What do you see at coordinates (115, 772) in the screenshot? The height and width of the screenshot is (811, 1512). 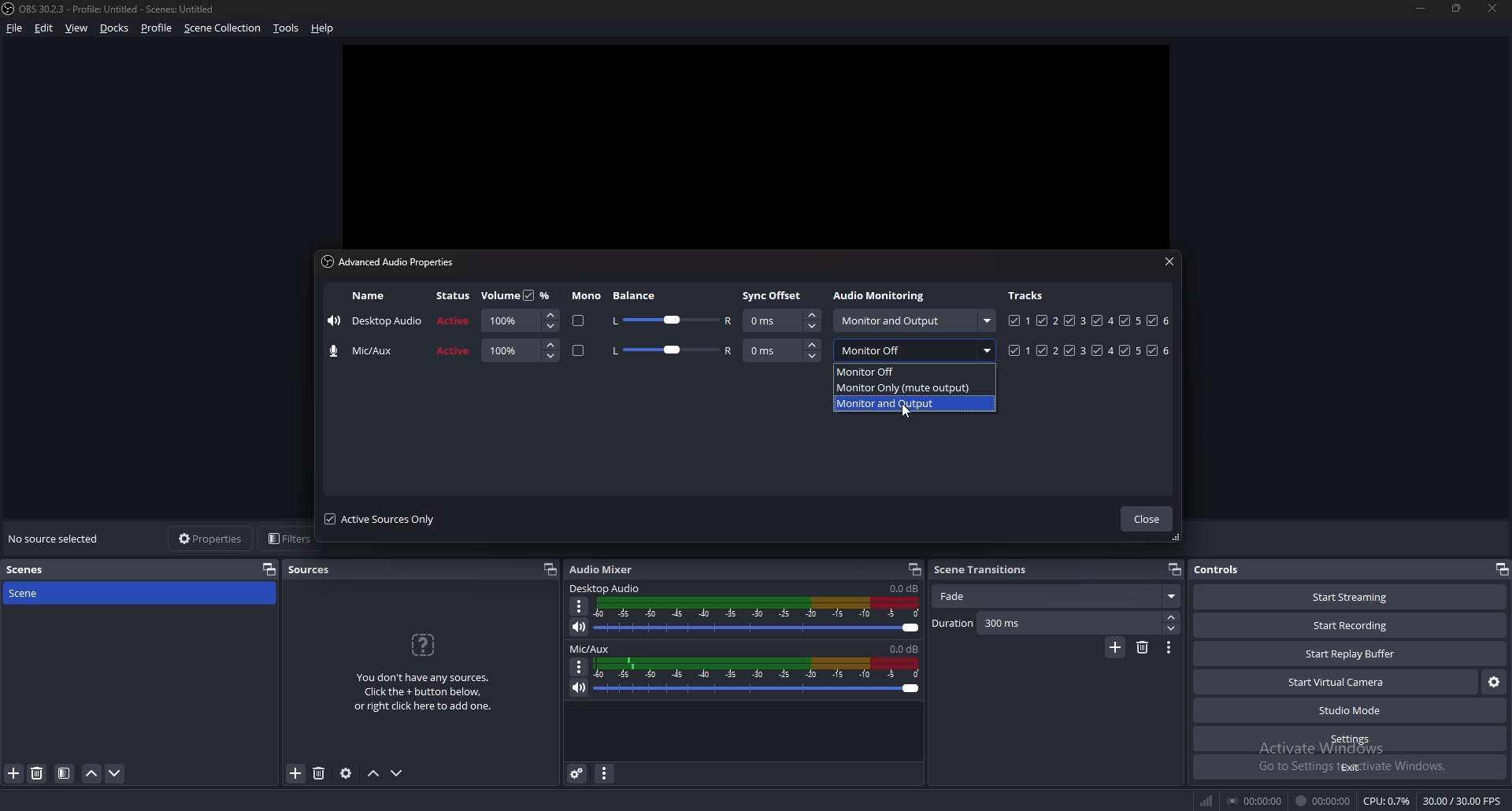 I see `move scene down` at bounding box center [115, 772].